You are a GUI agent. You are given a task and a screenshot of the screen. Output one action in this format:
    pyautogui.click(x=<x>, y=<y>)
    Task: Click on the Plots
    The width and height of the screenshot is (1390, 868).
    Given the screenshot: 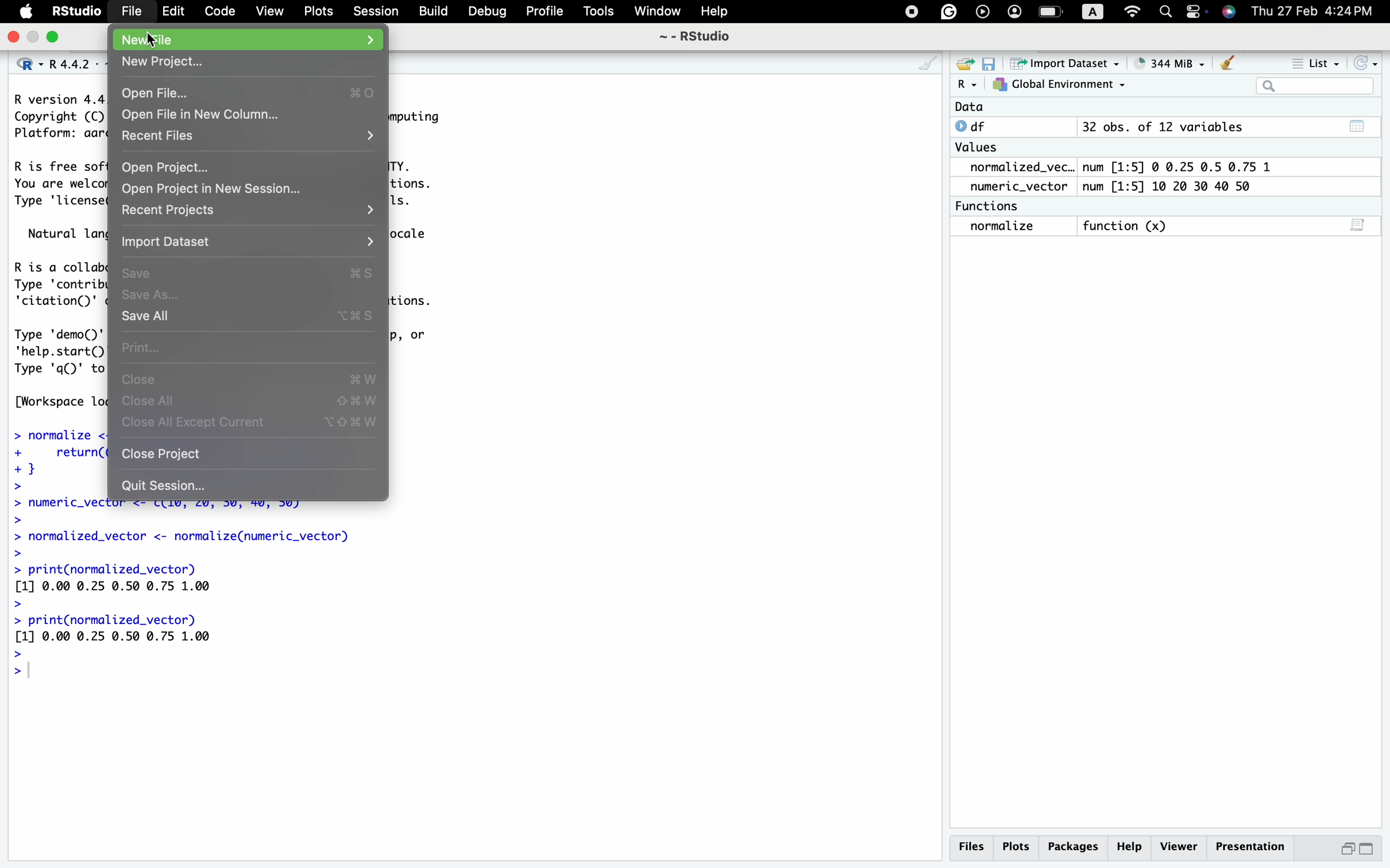 What is the action you would take?
    pyautogui.click(x=318, y=13)
    